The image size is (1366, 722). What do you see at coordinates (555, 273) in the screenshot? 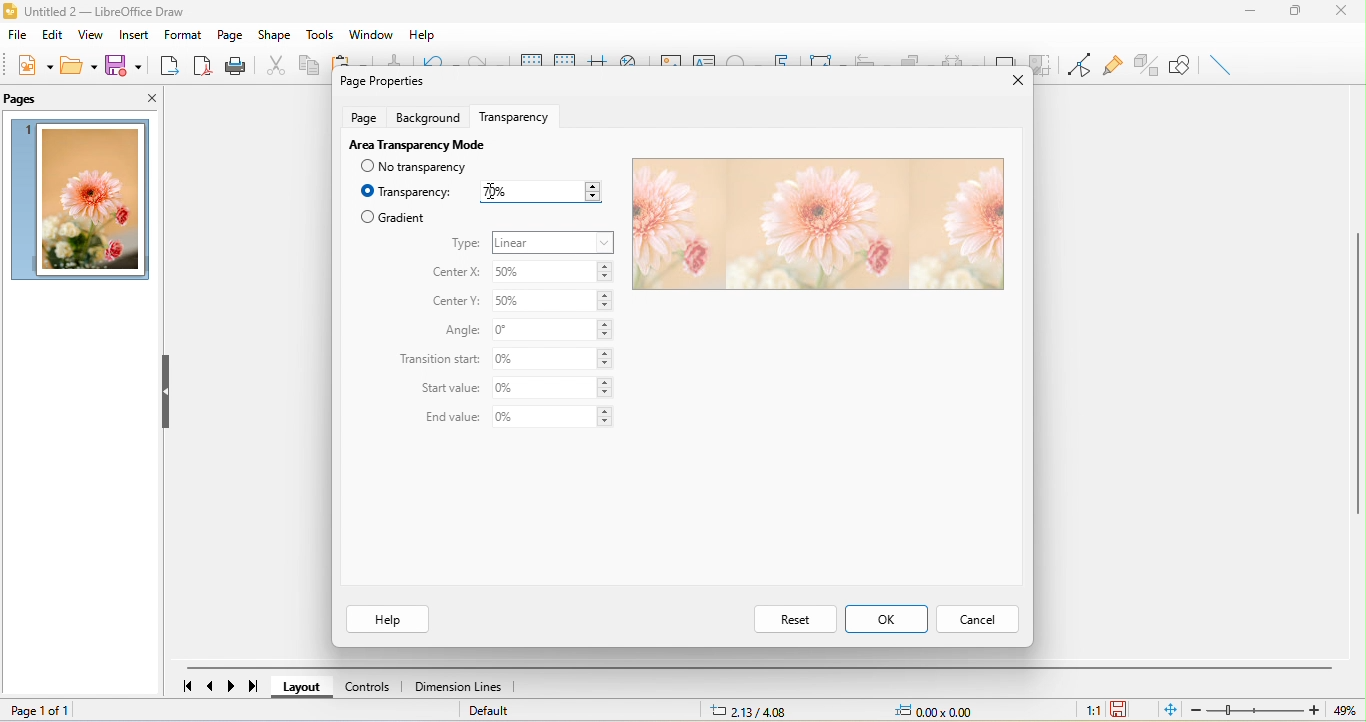
I see `50%` at bounding box center [555, 273].